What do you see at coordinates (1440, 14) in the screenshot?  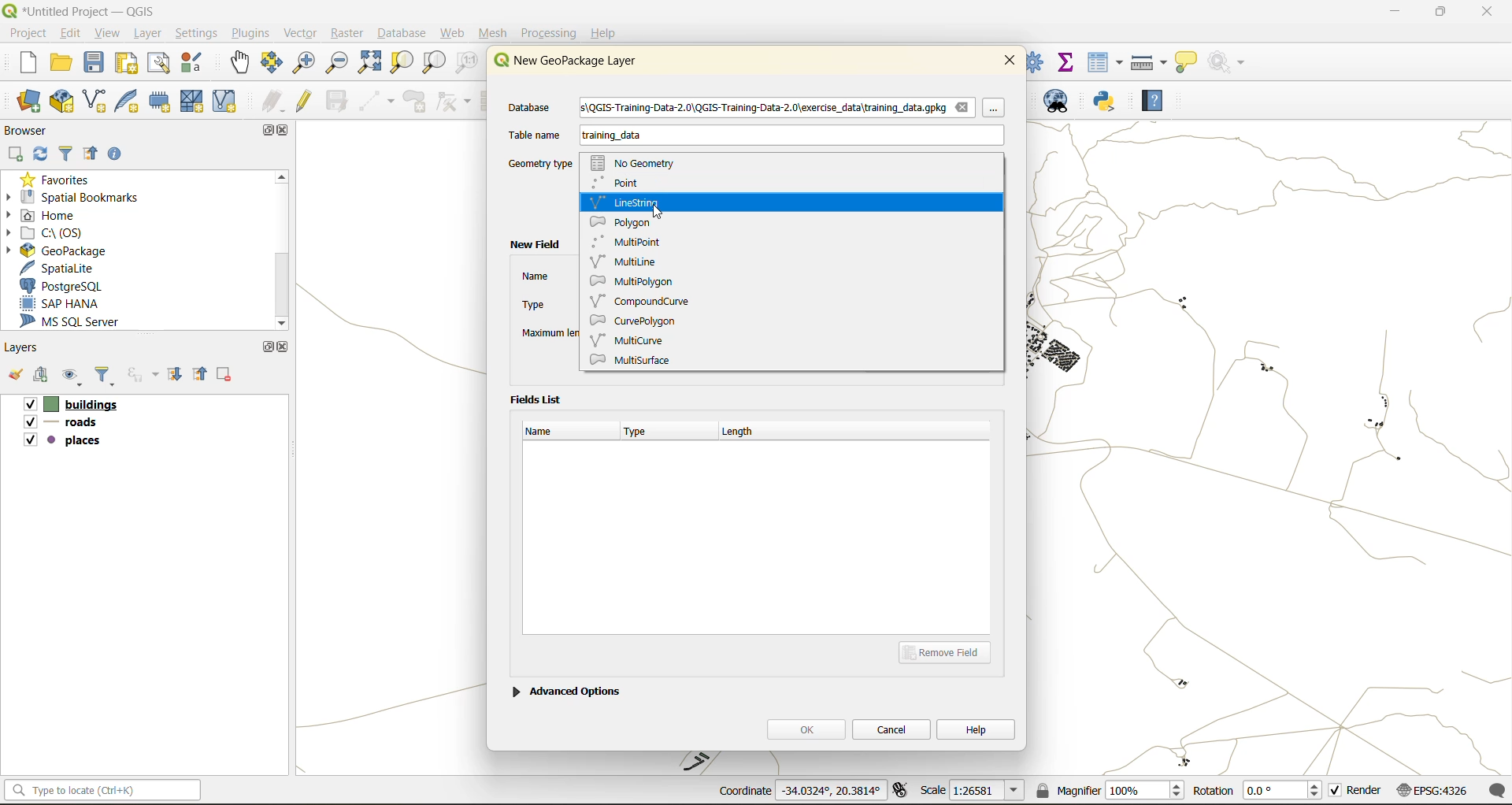 I see `maximize` at bounding box center [1440, 14].